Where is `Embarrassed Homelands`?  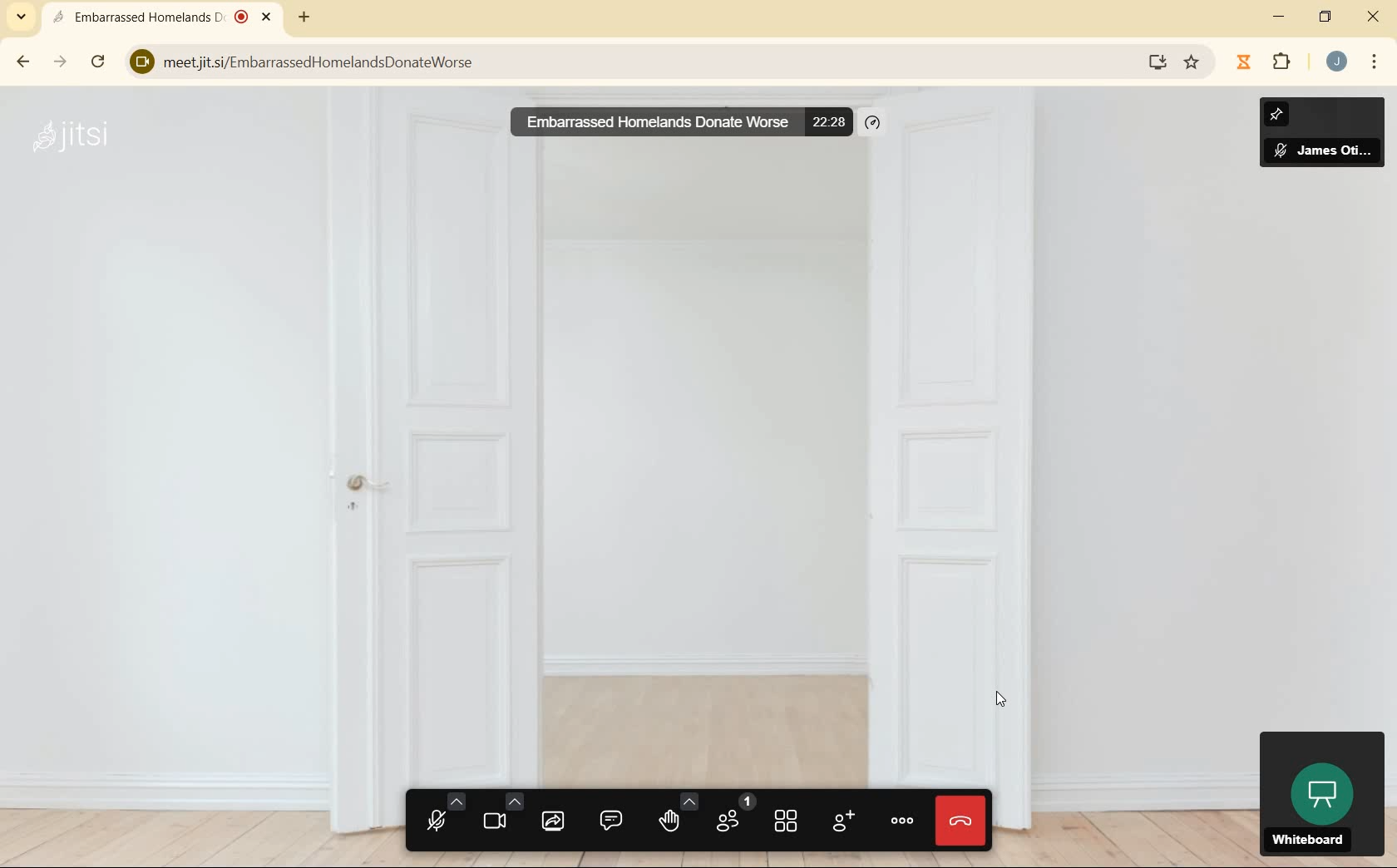 Embarrassed Homelands is located at coordinates (160, 16).